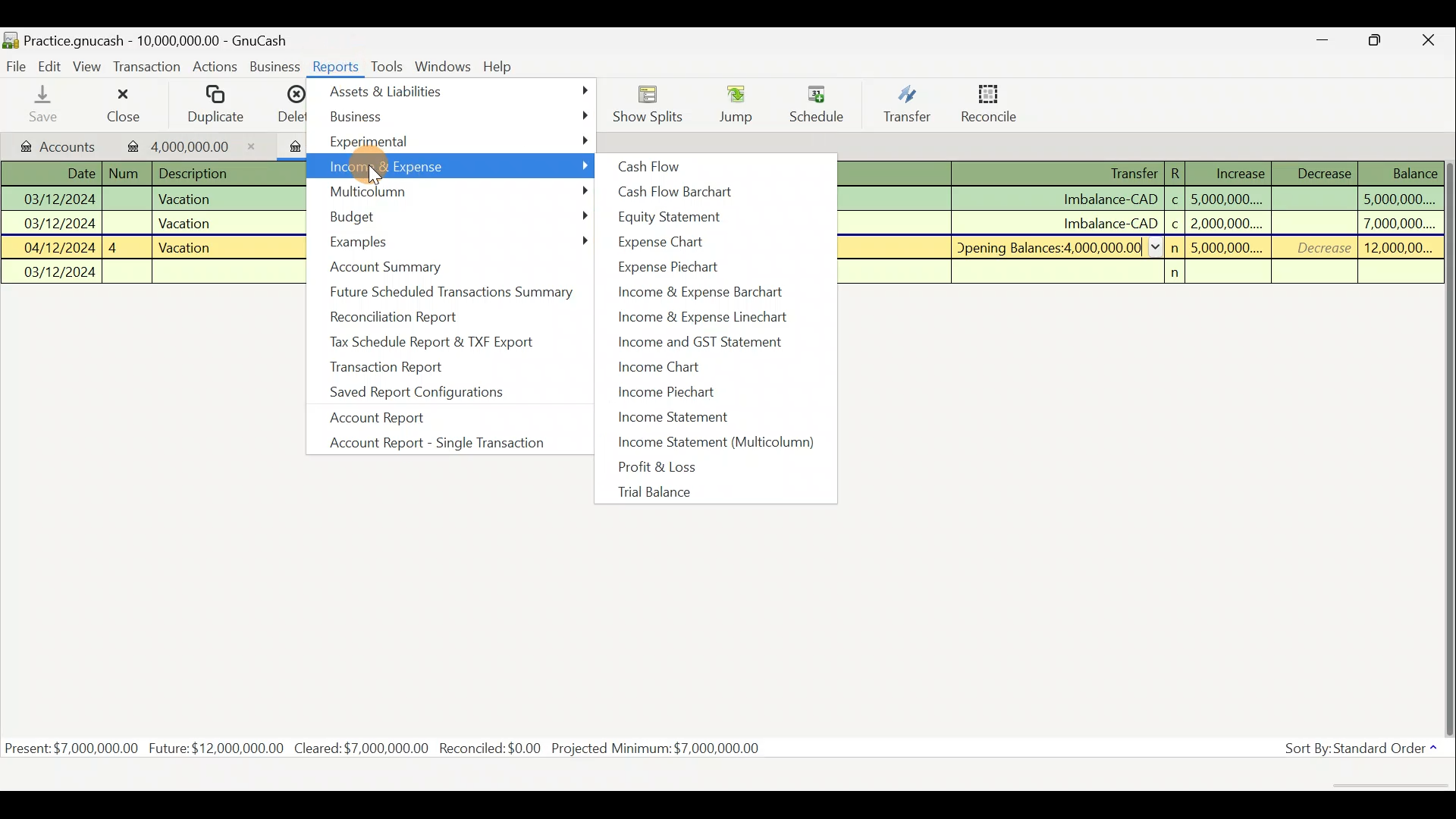  What do you see at coordinates (184, 223) in the screenshot?
I see `Vacation` at bounding box center [184, 223].